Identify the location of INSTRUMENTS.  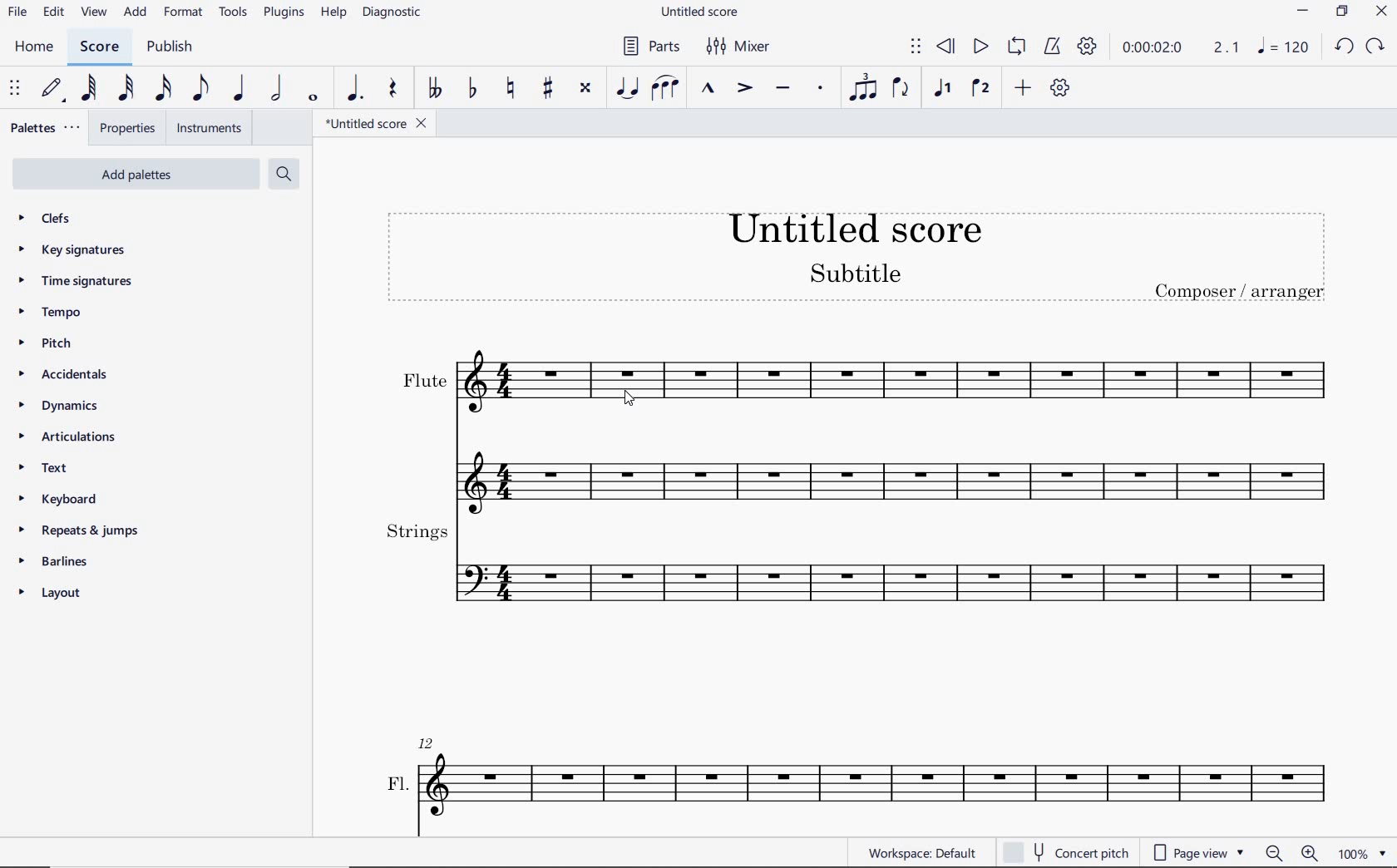
(211, 130).